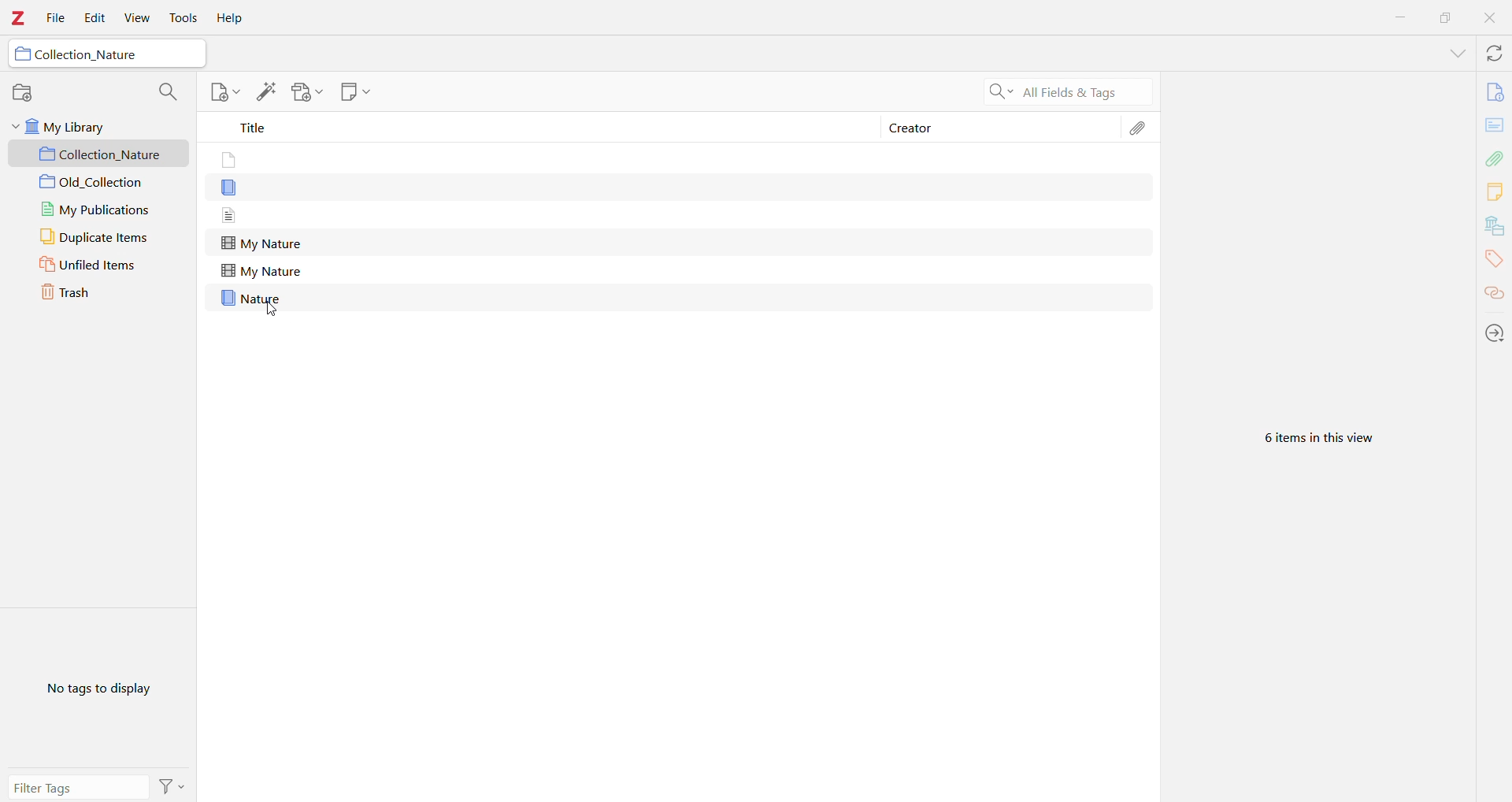 The image size is (1512, 802). What do you see at coordinates (1494, 193) in the screenshot?
I see `Notes` at bounding box center [1494, 193].